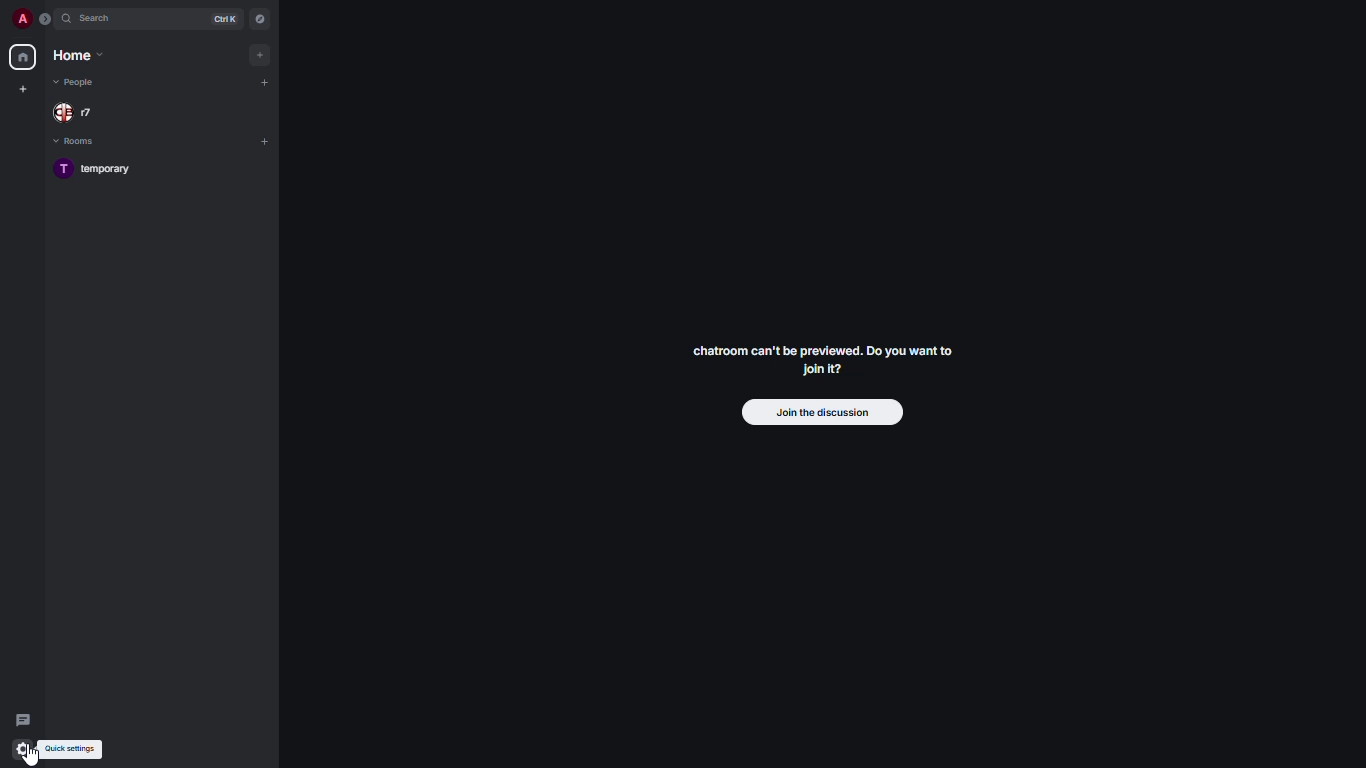 This screenshot has width=1366, height=768. Describe the element at coordinates (24, 720) in the screenshot. I see `threads` at that location.